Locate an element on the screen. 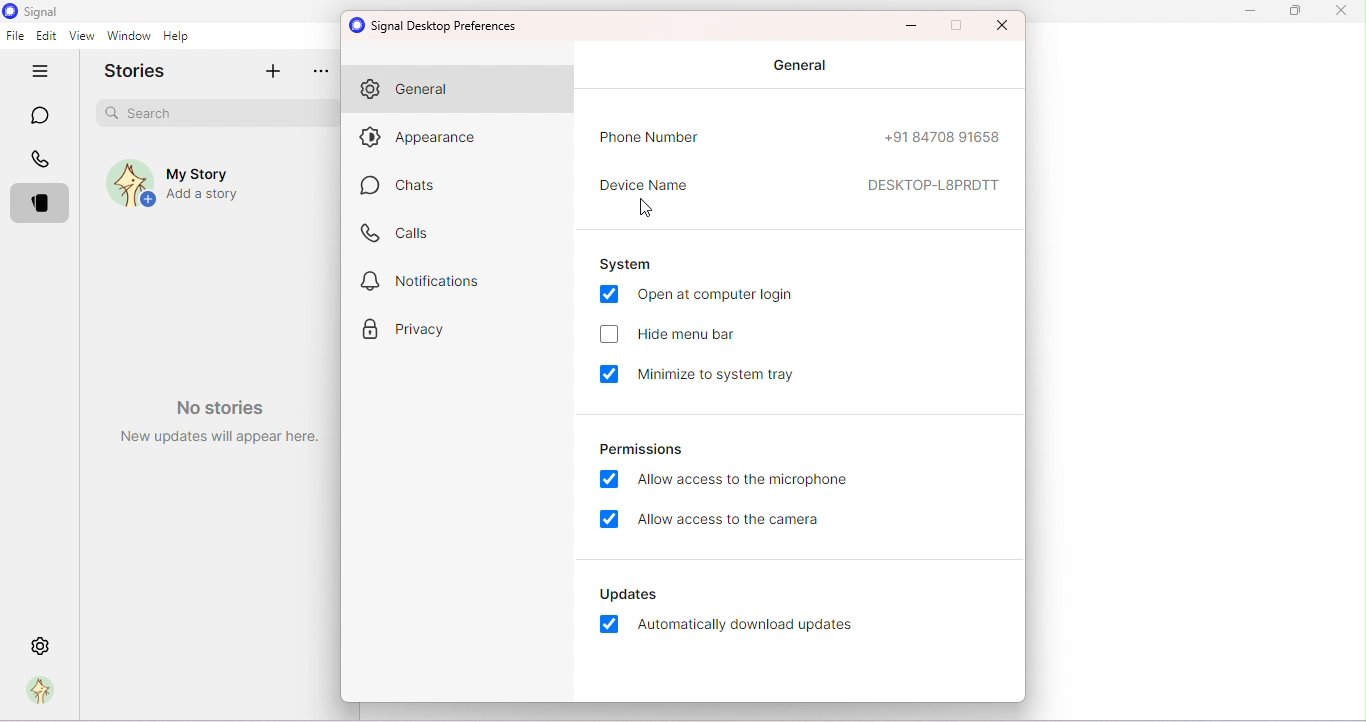  Minimize is located at coordinates (914, 26).